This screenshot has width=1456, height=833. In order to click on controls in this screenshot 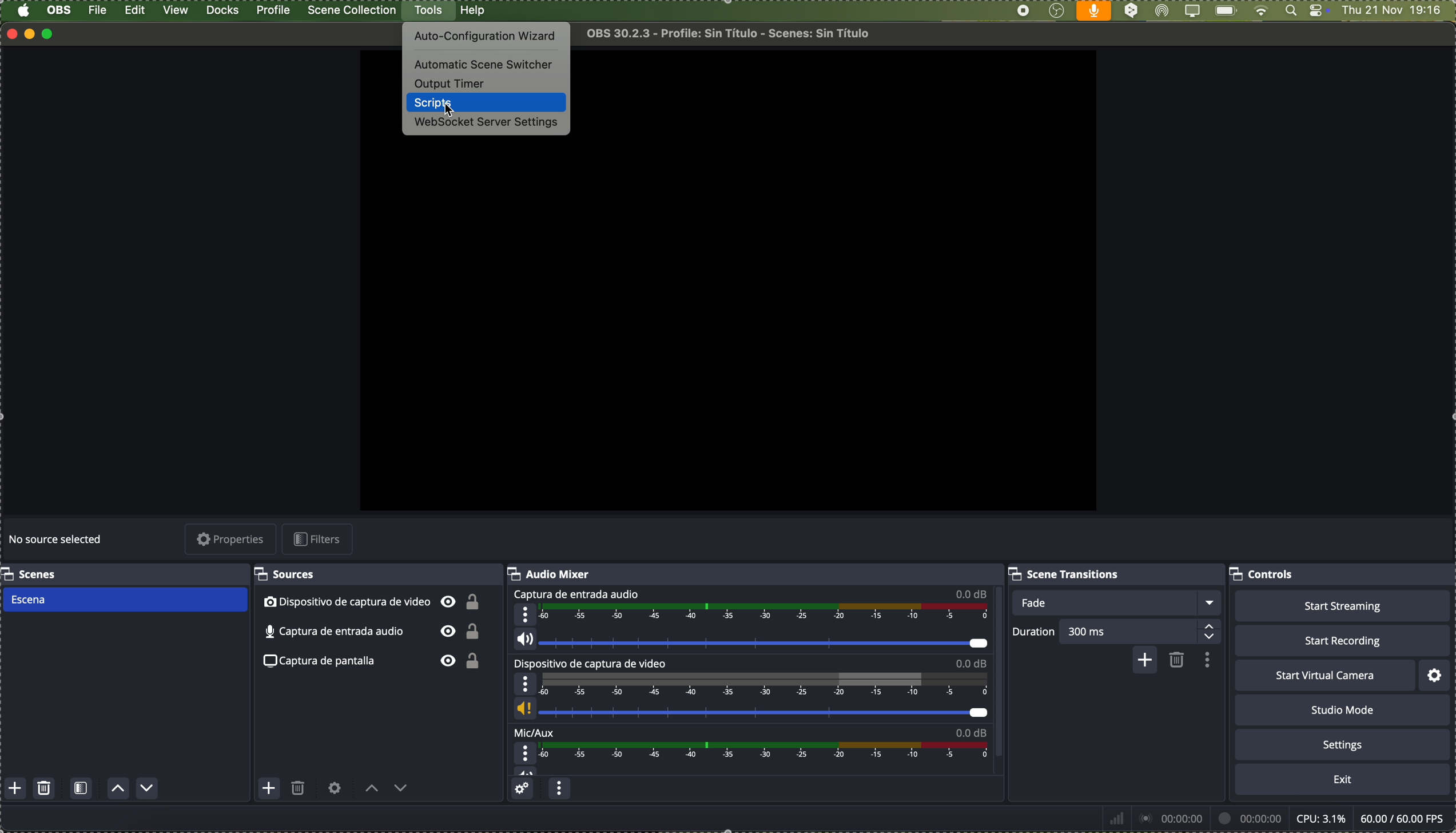, I will do `click(1264, 576)`.